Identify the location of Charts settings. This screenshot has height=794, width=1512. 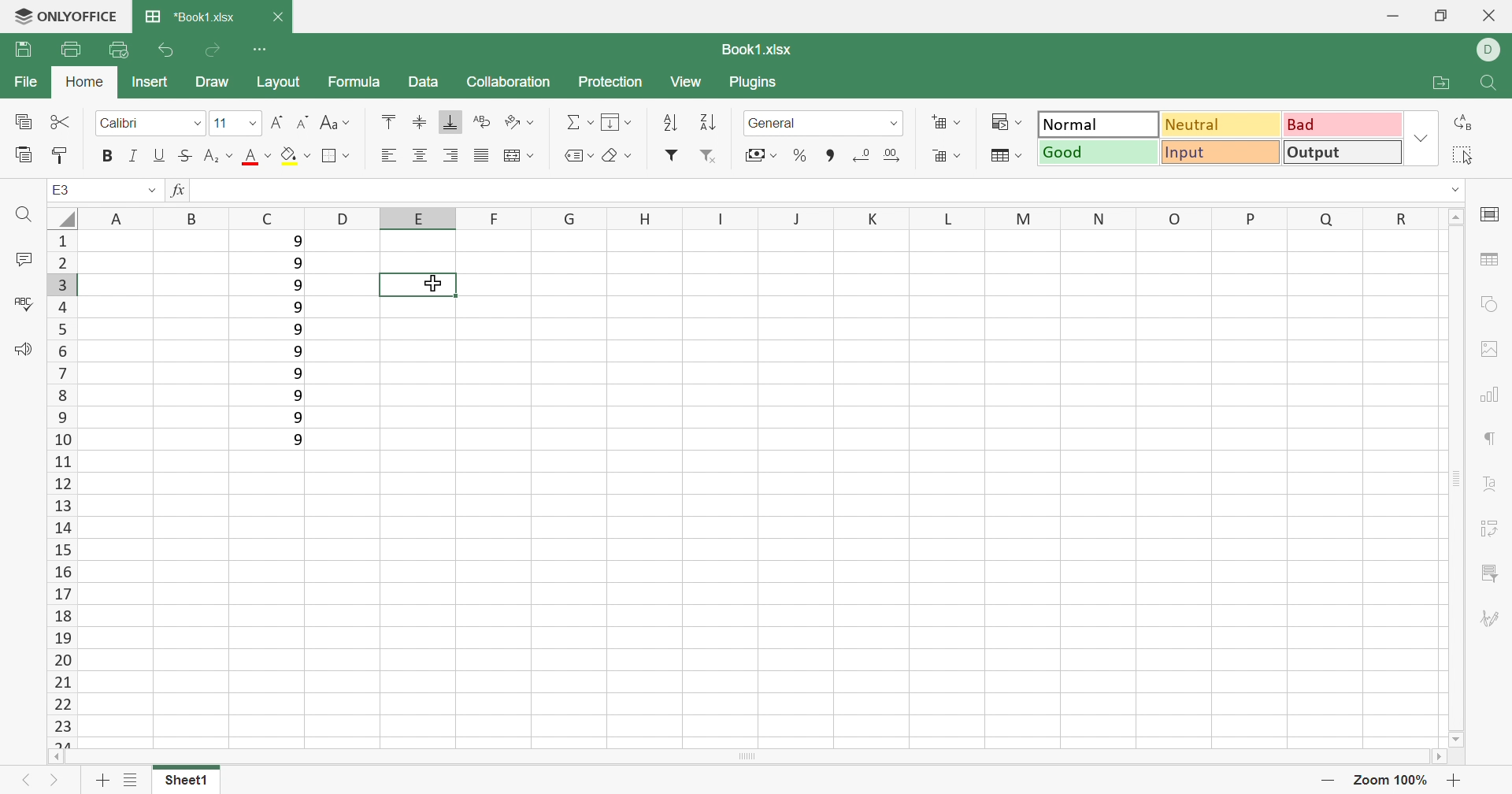
(1492, 396).